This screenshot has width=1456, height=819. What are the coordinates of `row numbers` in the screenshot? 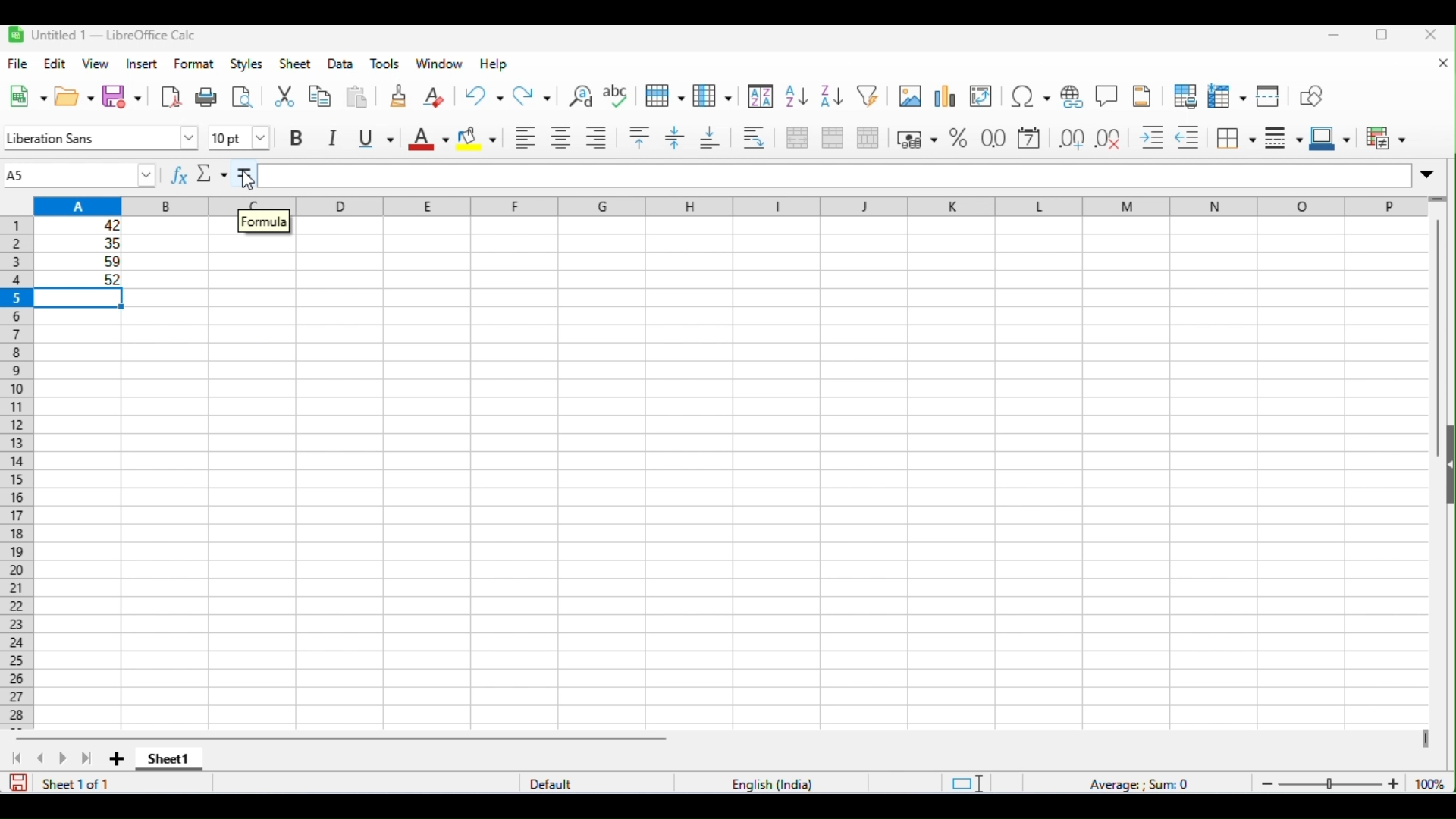 It's located at (17, 472).